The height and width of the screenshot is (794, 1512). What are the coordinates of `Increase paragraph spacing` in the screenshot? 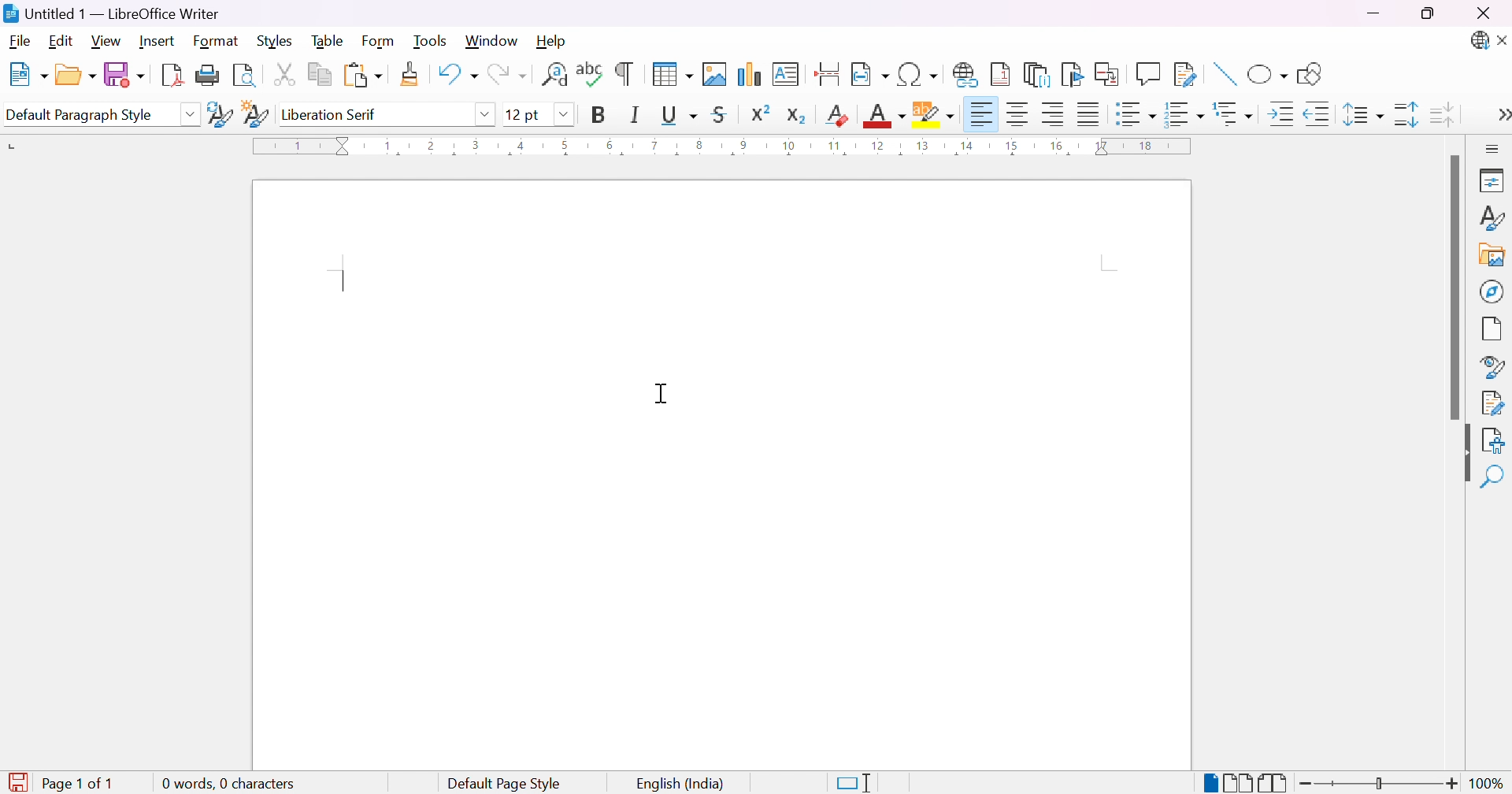 It's located at (1408, 114).